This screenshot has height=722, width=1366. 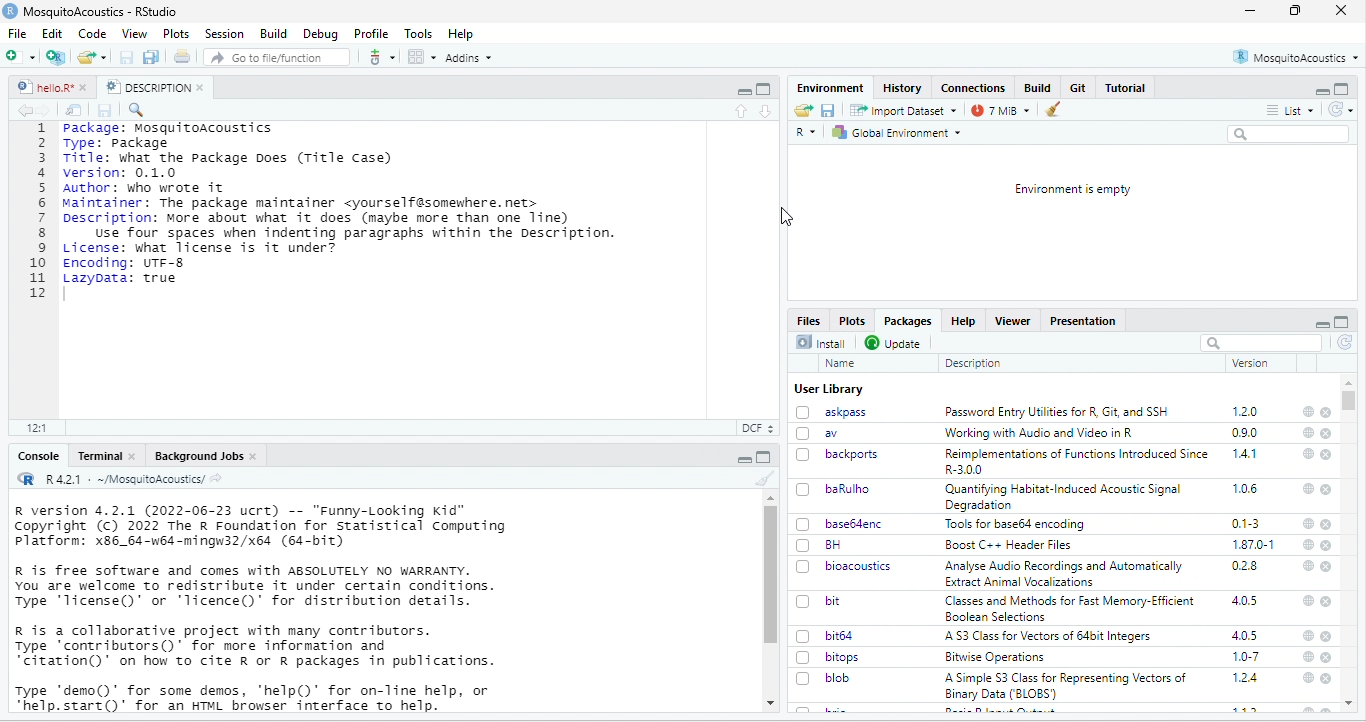 What do you see at coordinates (1309, 411) in the screenshot?
I see `help` at bounding box center [1309, 411].